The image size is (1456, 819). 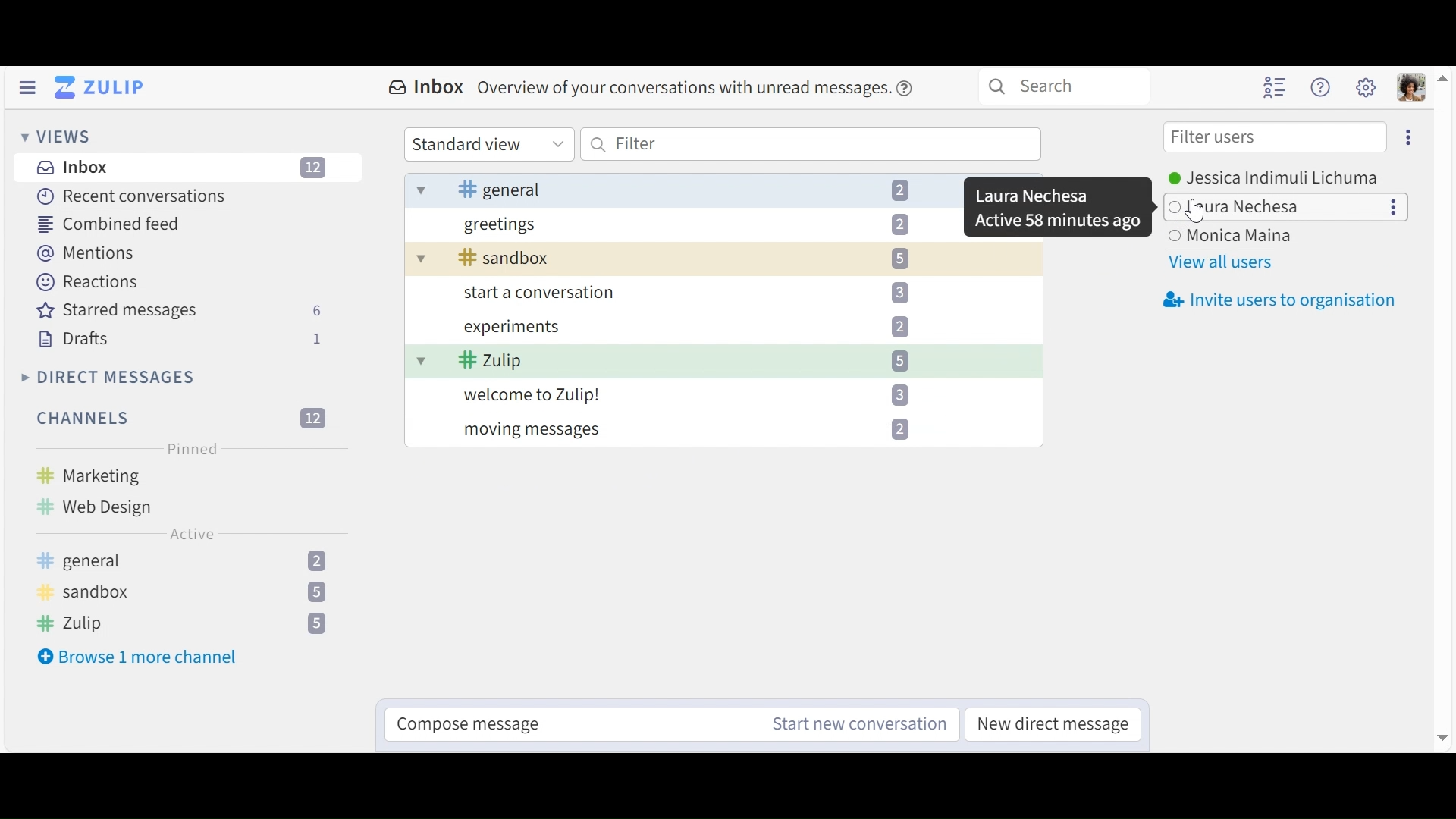 What do you see at coordinates (105, 224) in the screenshot?
I see `Combined feed` at bounding box center [105, 224].